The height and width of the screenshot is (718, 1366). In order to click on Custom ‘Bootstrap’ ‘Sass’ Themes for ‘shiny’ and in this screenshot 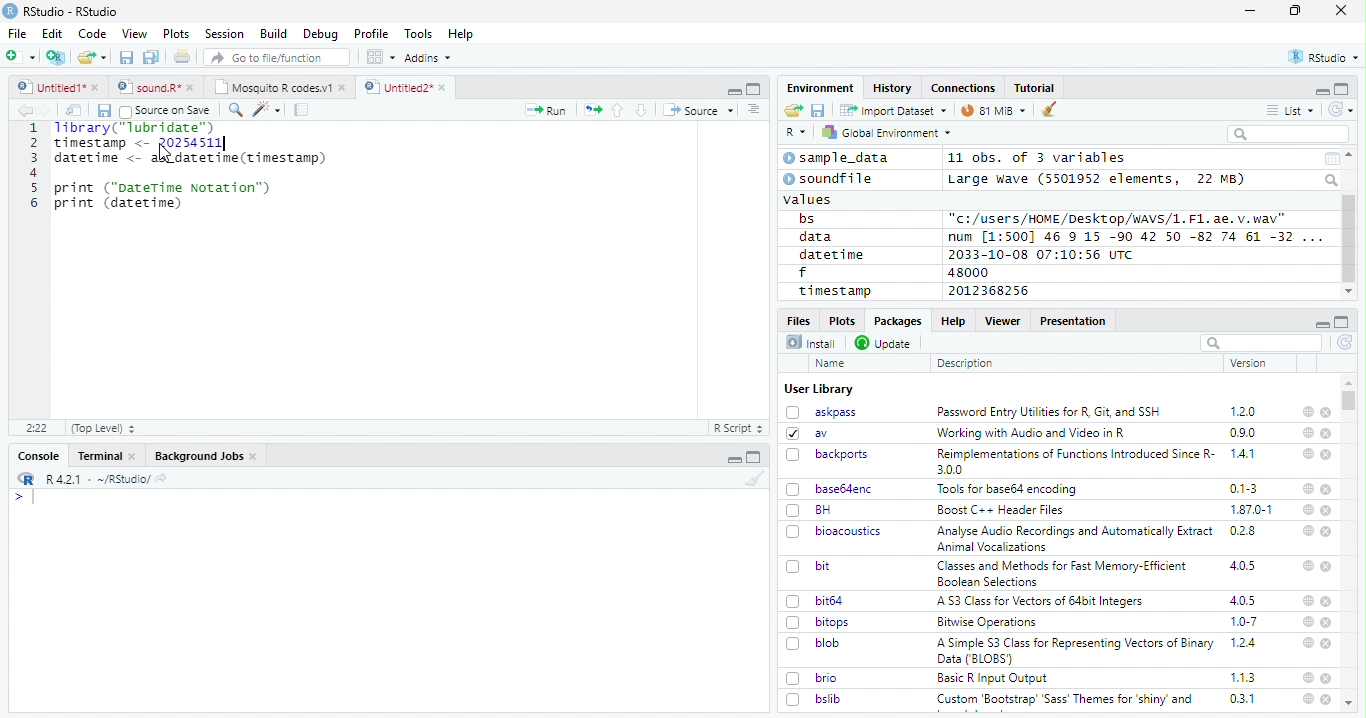, I will do `click(1065, 702)`.